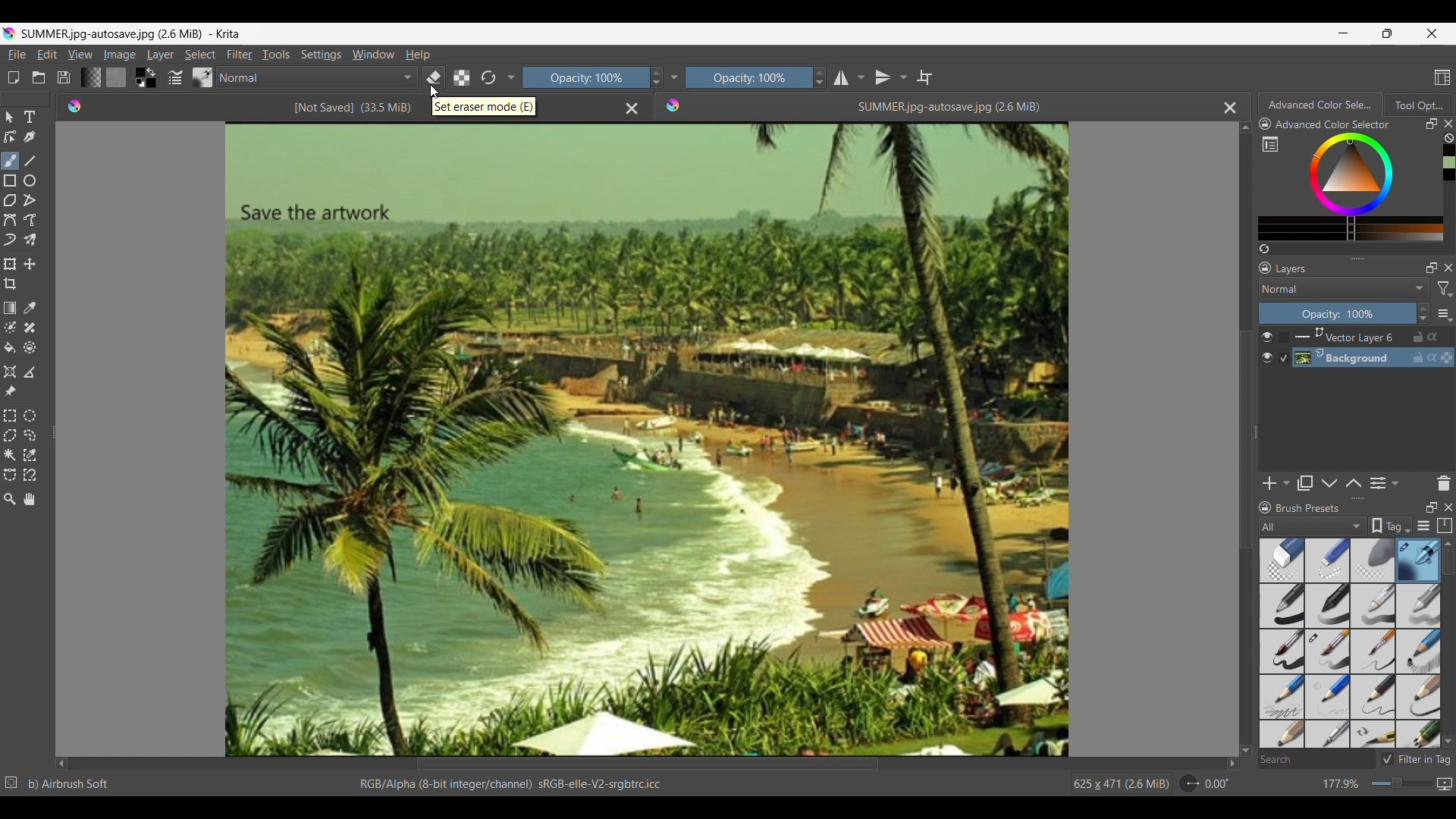  Describe the element at coordinates (419, 55) in the screenshot. I see `Help` at that location.